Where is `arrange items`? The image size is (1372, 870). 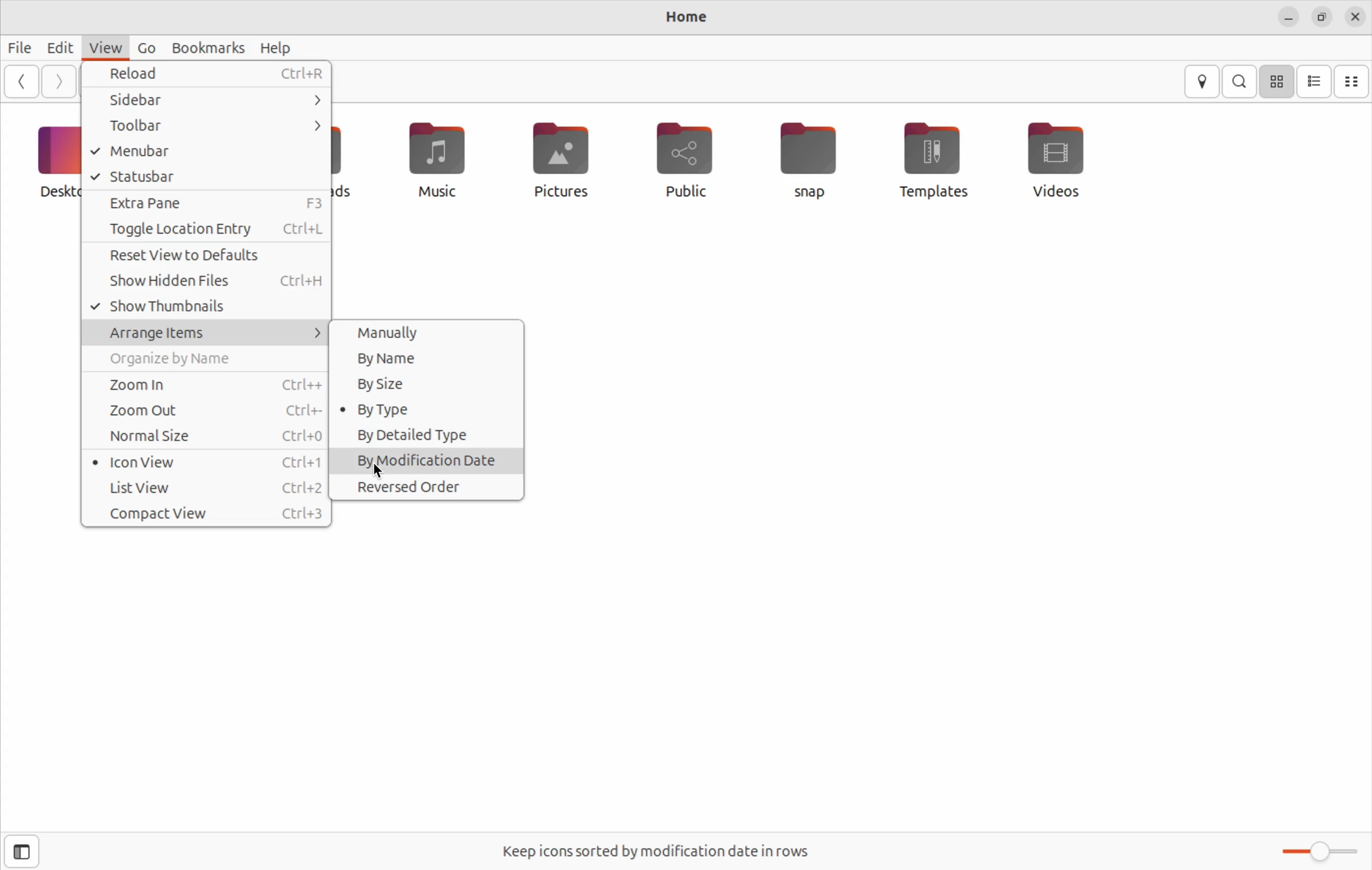 arrange items is located at coordinates (210, 334).